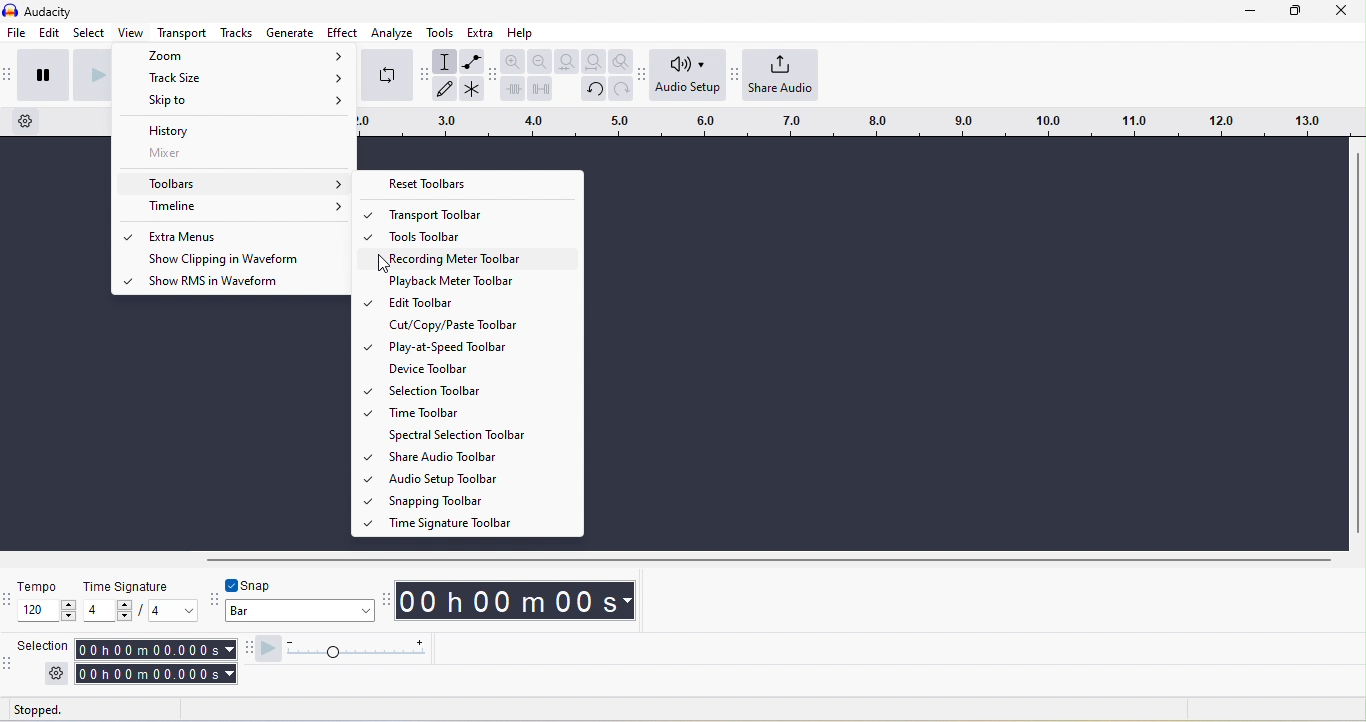 Image resolution: width=1366 pixels, height=722 pixels. I want to click on share audio toolbar, so click(733, 73).